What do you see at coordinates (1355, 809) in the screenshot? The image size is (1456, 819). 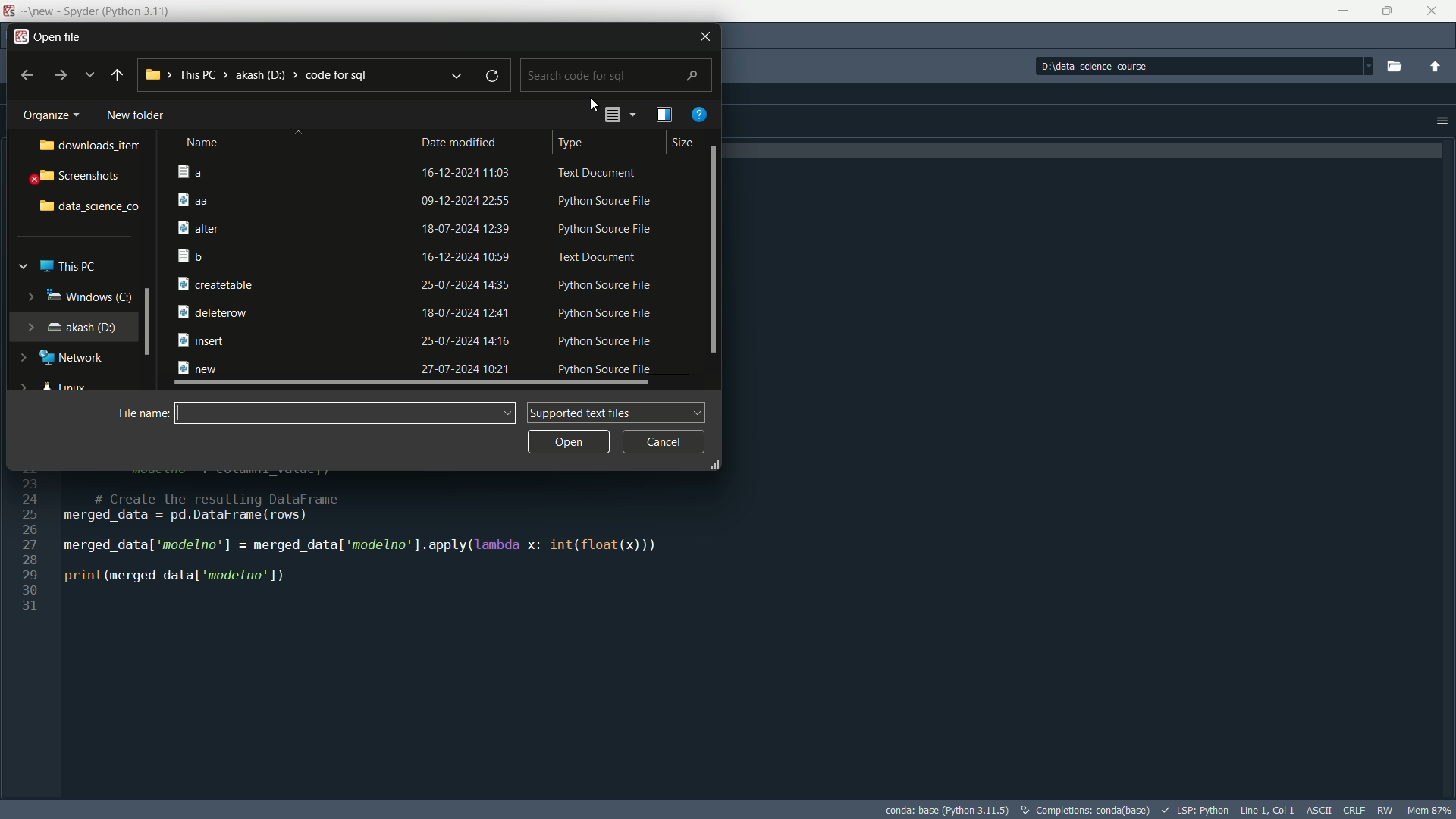 I see `file eol status` at bounding box center [1355, 809].